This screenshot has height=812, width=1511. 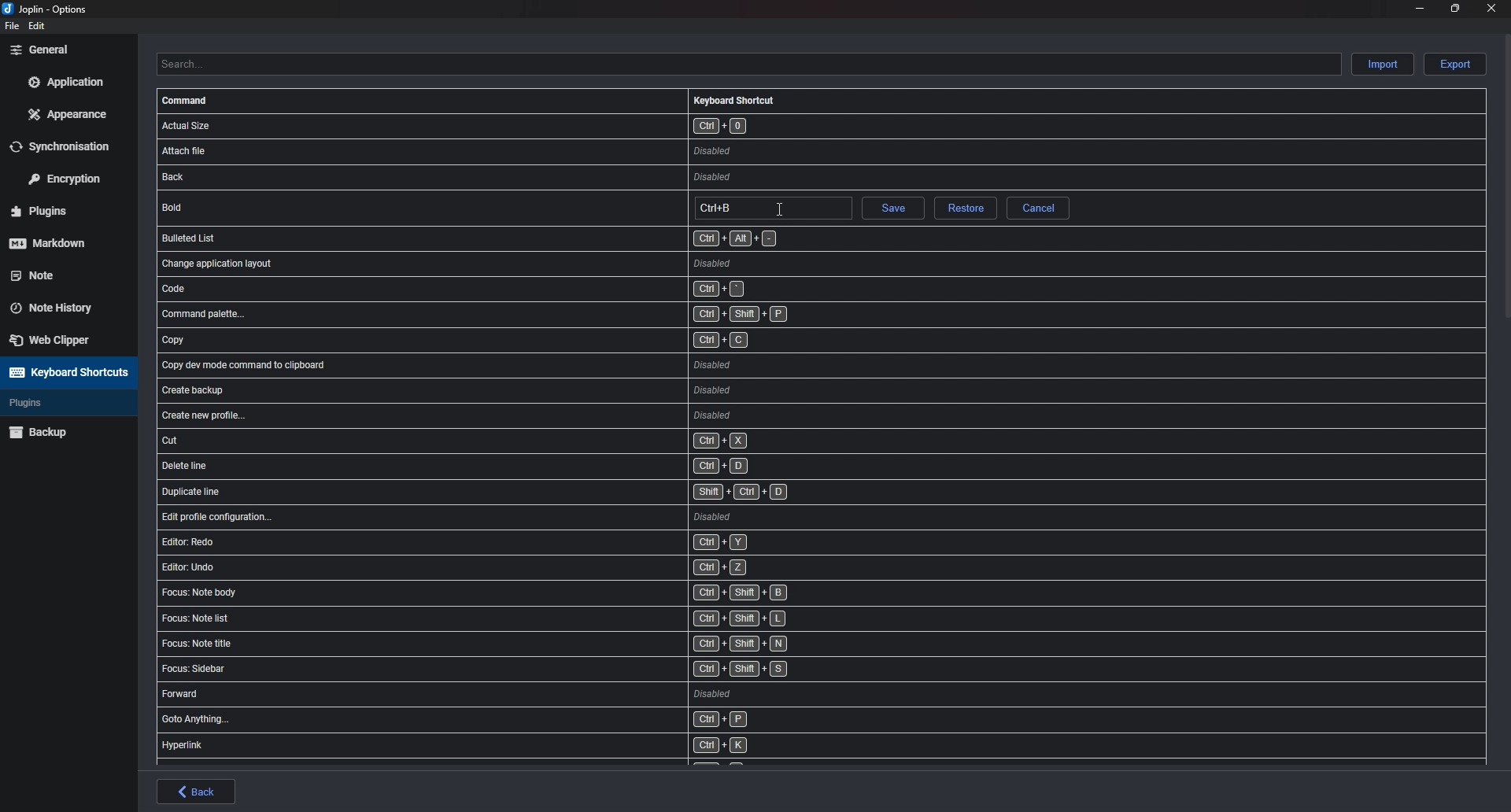 What do you see at coordinates (512, 670) in the screenshot?
I see `shortcut` at bounding box center [512, 670].